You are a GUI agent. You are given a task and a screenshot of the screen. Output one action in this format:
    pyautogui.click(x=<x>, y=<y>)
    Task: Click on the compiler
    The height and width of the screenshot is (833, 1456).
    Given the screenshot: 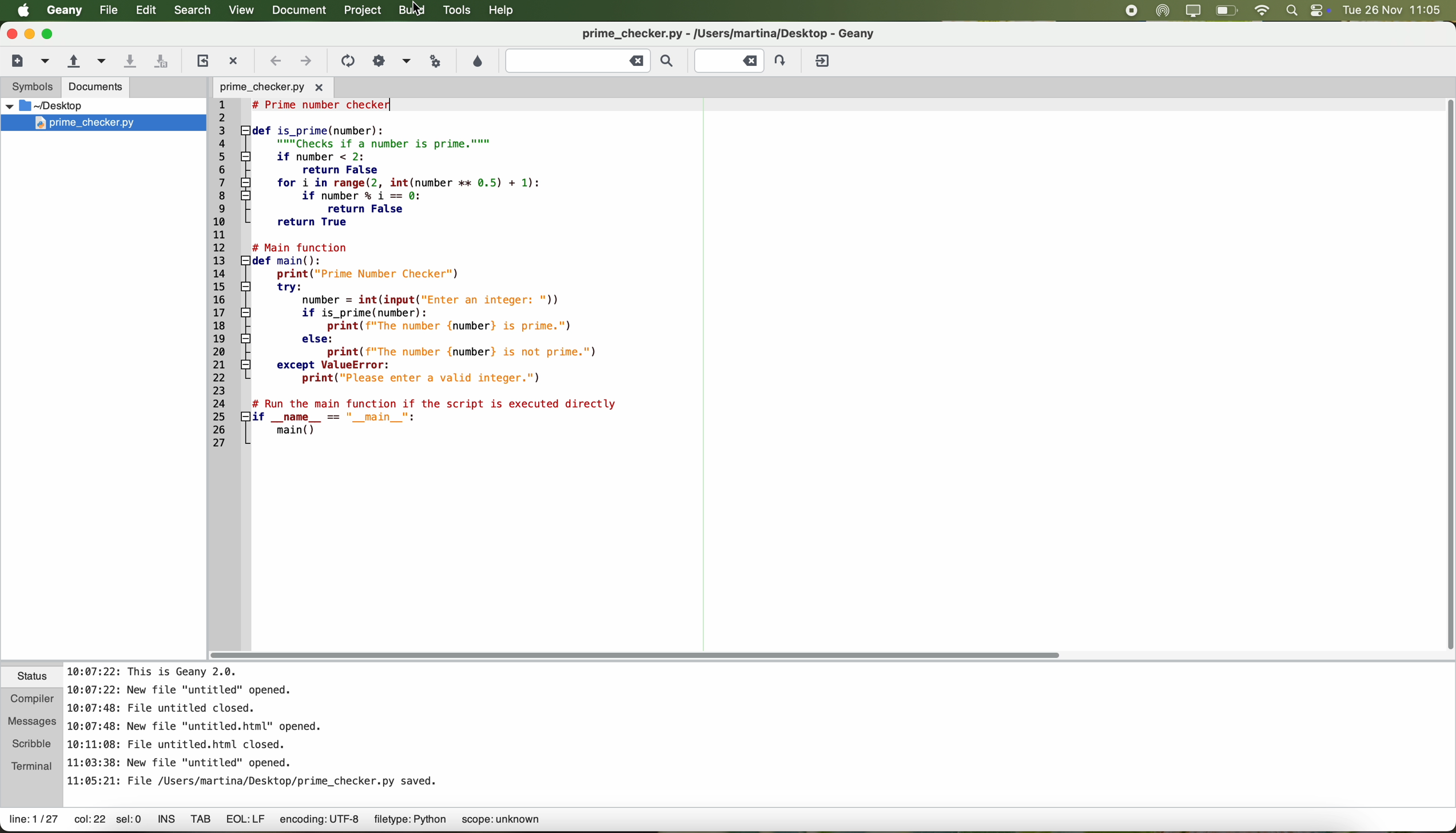 What is the action you would take?
    pyautogui.click(x=33, y=697)
    